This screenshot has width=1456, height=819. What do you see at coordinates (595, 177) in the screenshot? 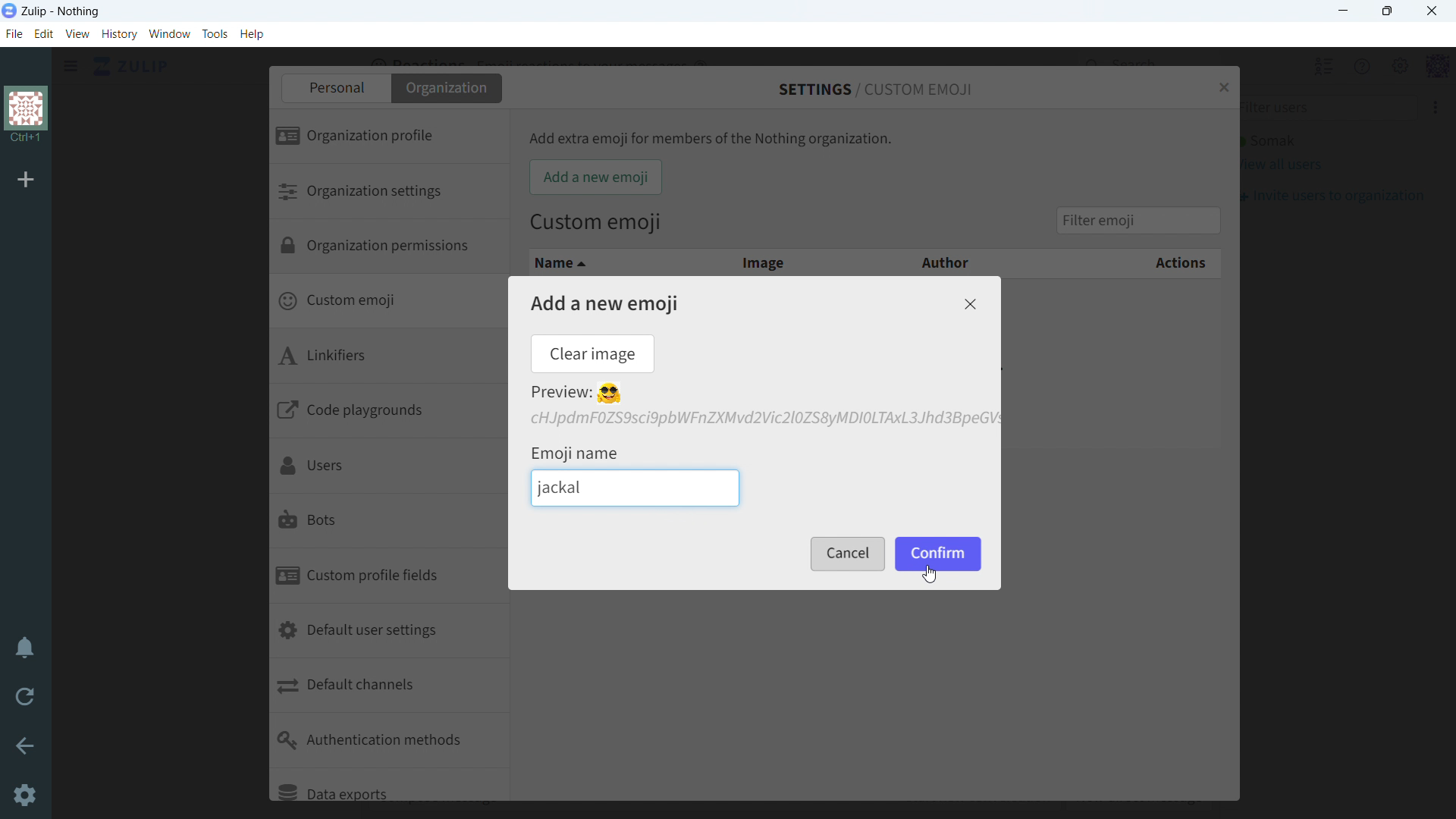
I see `add a new emoji` at bounding box center [595, 177].